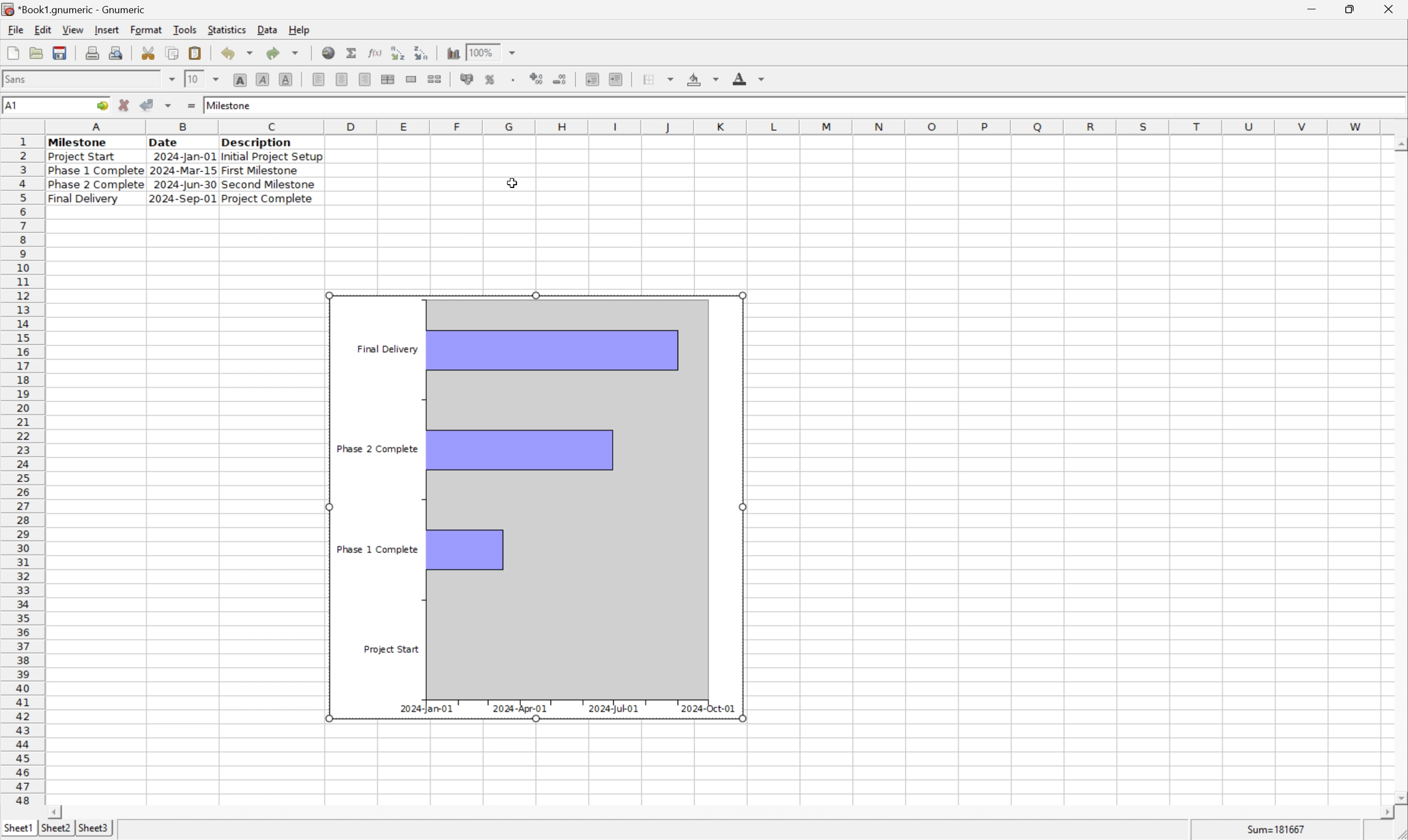  Describe the element at coordinates (538, 79) in the screenshot. I see `increase number of decimals displayed` at that location.